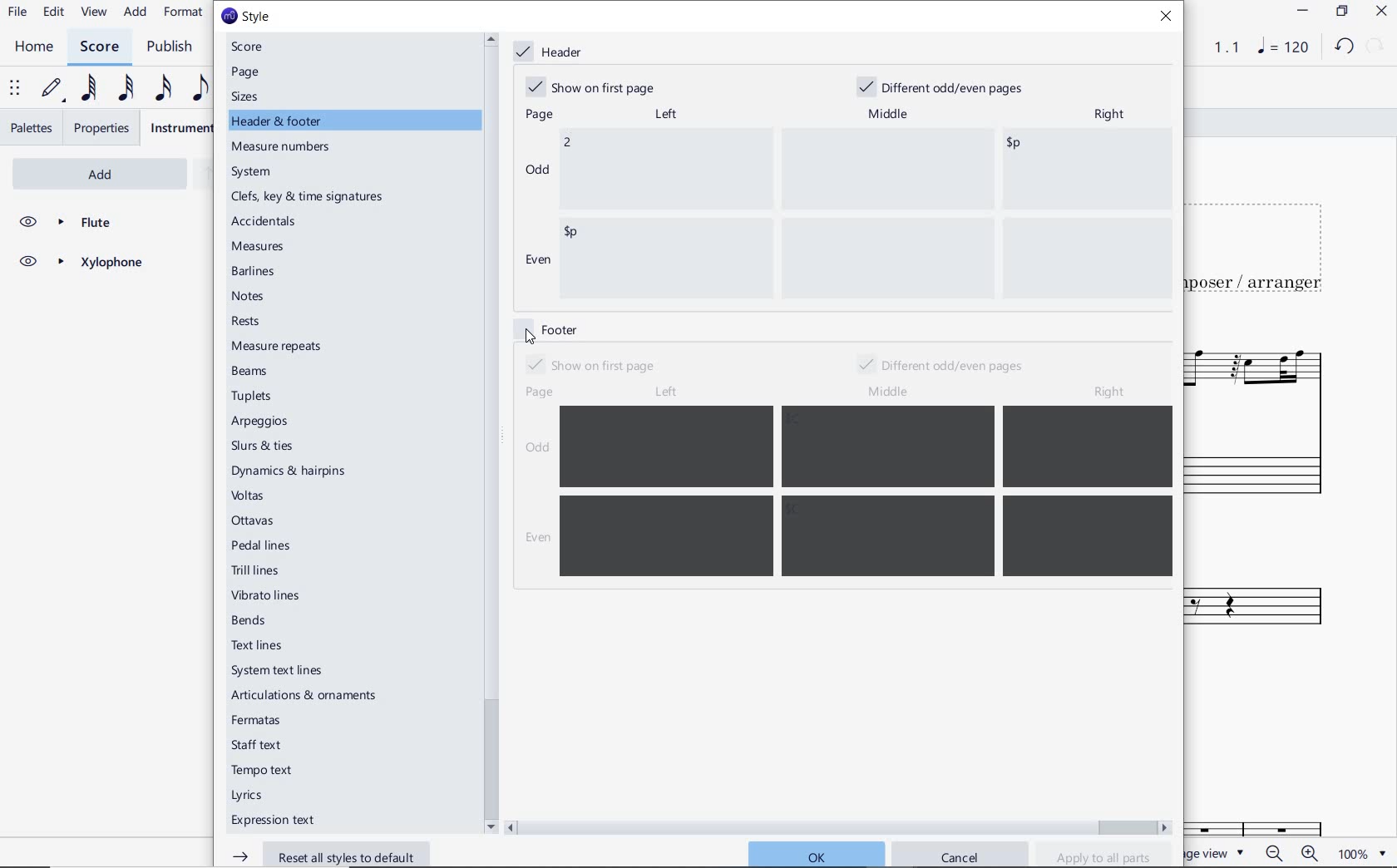  I want to click on measure numbers, so click(284, 148).